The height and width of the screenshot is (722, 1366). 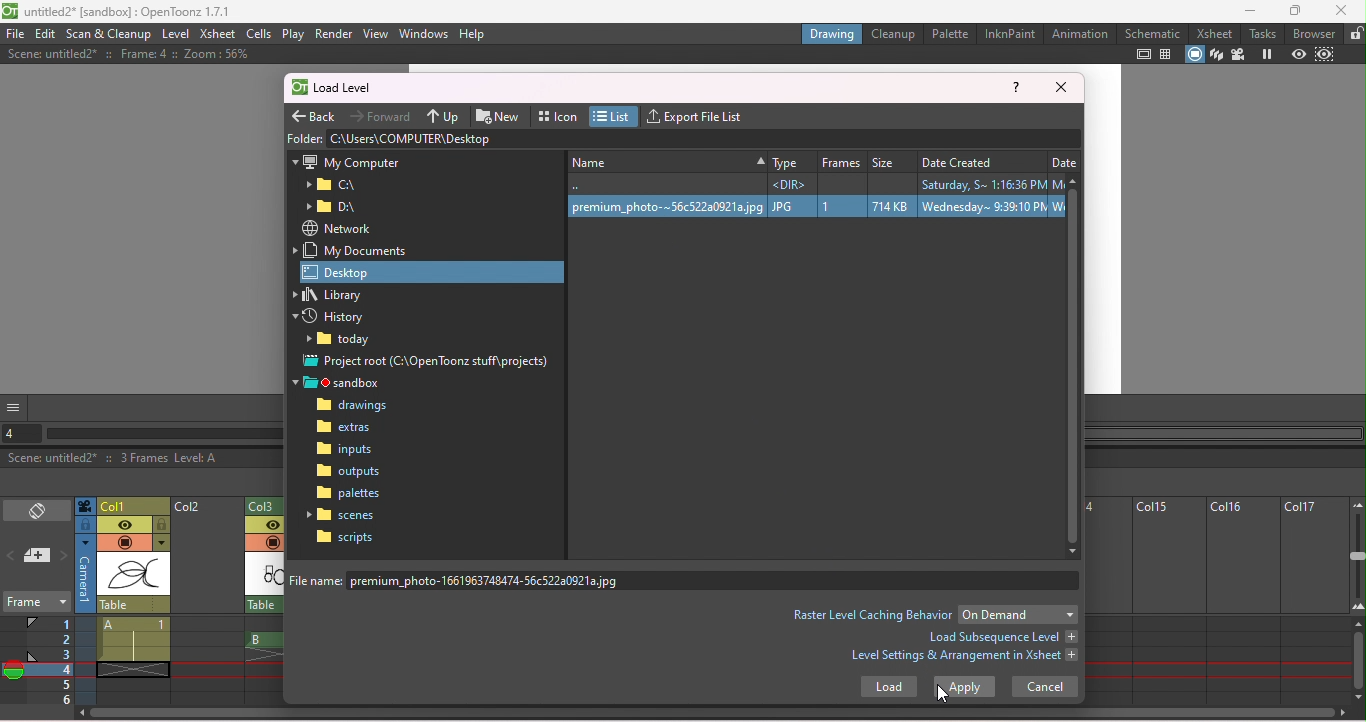 What do you see at coordinates (337, 207) in the screenshot?
I see `Folder` at bounding box center [337, 207].